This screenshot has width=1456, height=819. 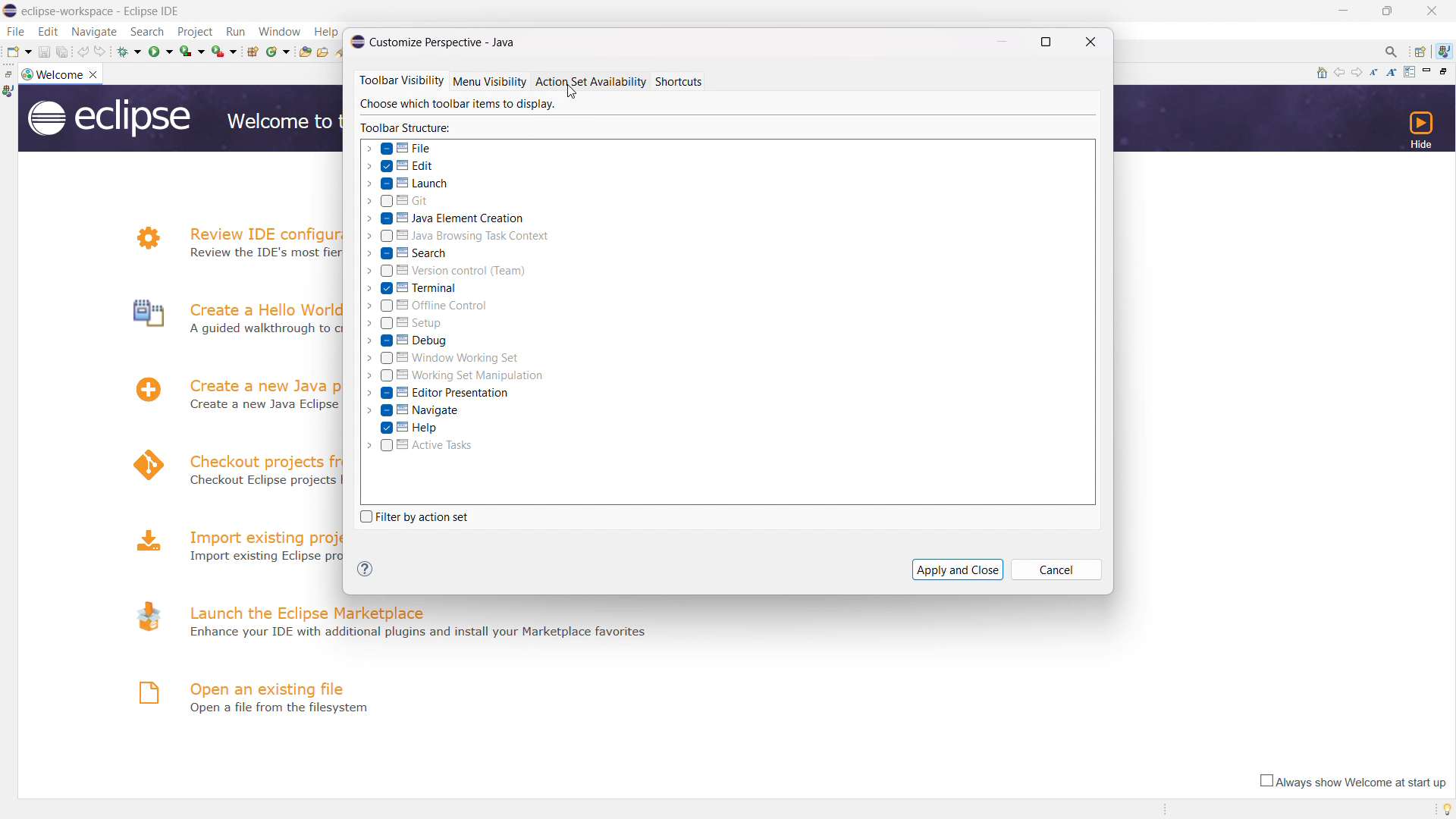 I want to click on help, so click(x=366, y=570).